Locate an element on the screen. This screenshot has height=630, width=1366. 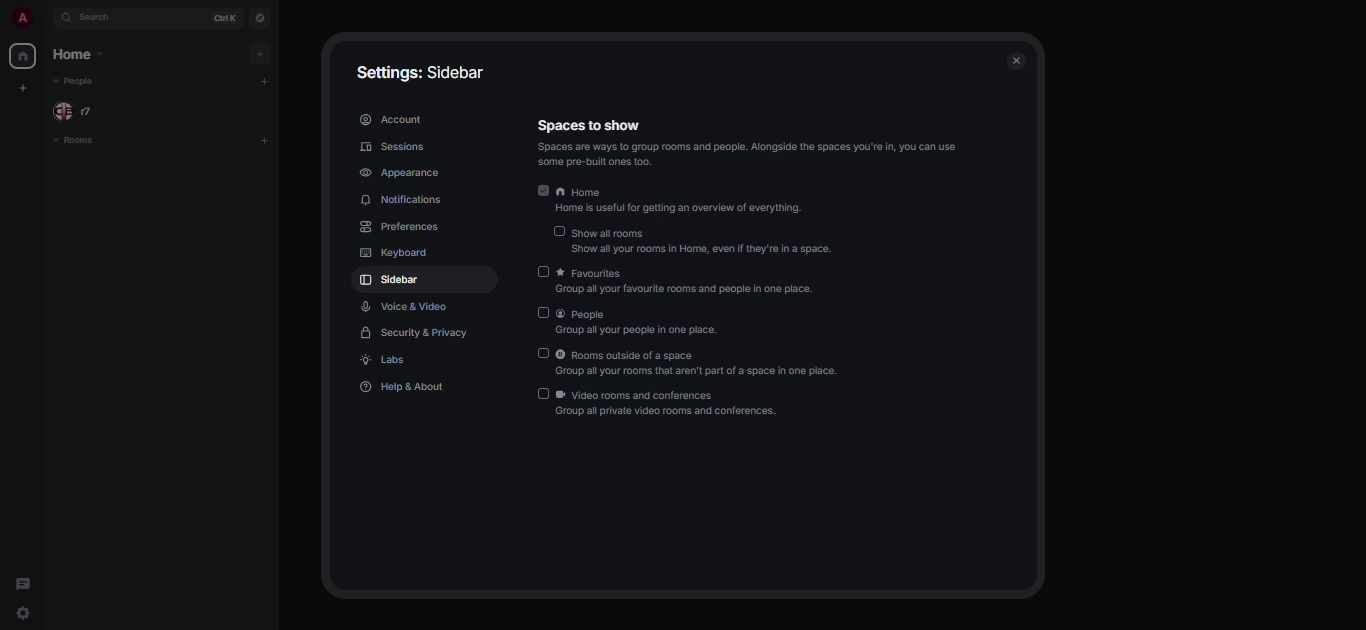
navigator is located at coordinates (261, 18).